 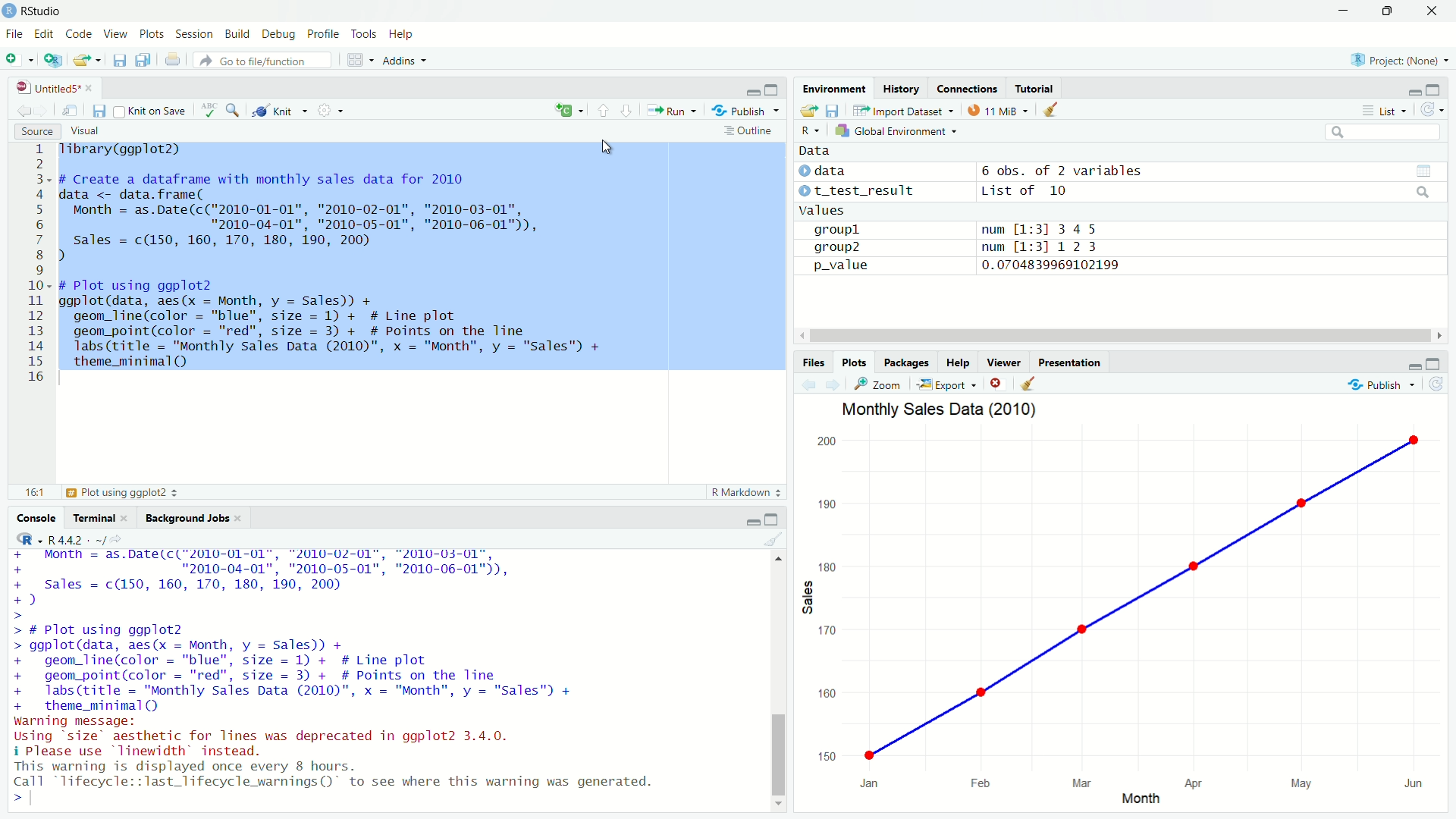 I want to click on groupl num [1:3] 345, so click(x=952, y=228).